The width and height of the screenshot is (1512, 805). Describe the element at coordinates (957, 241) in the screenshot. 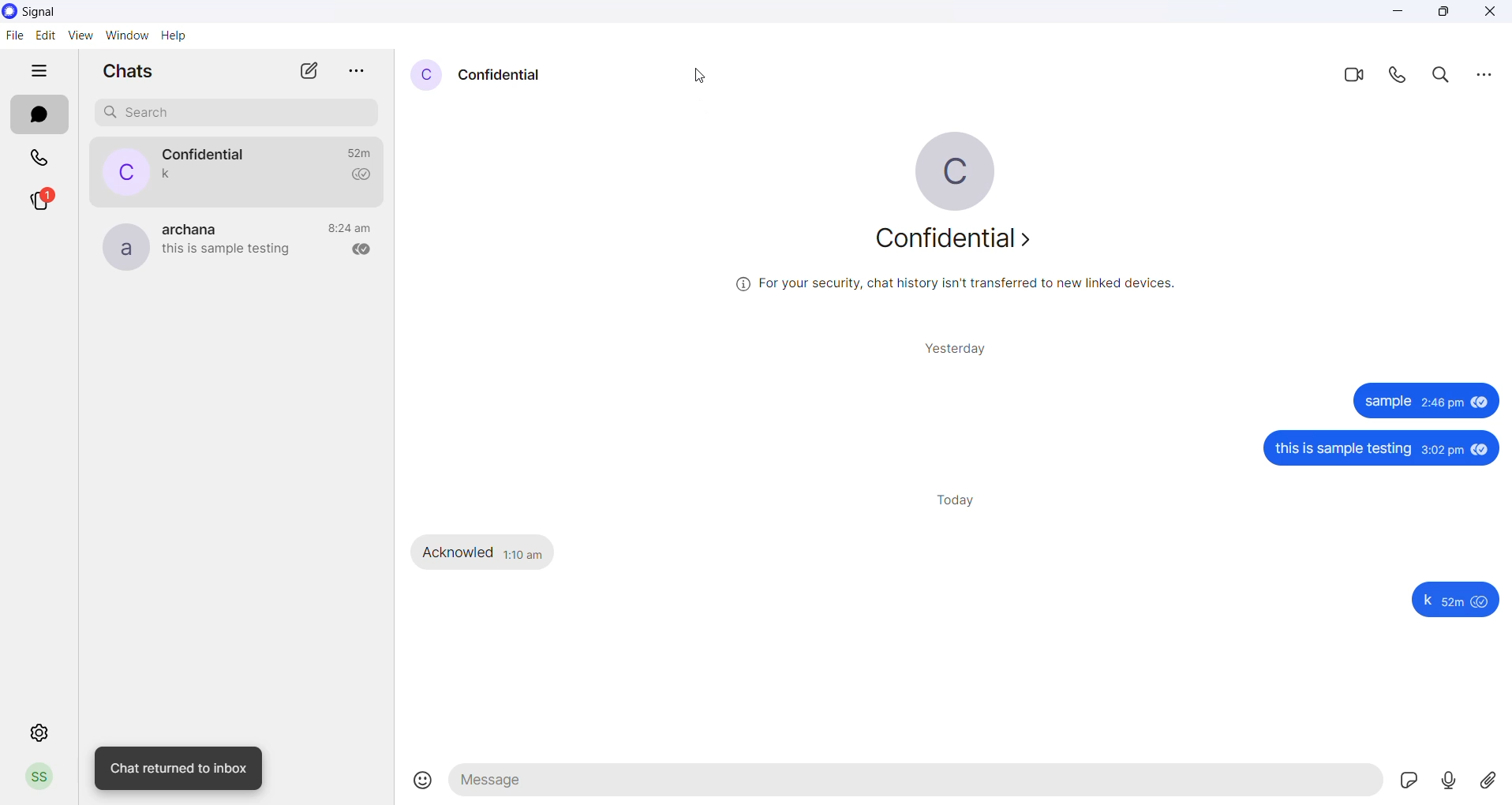

I see `about contact` at that location.